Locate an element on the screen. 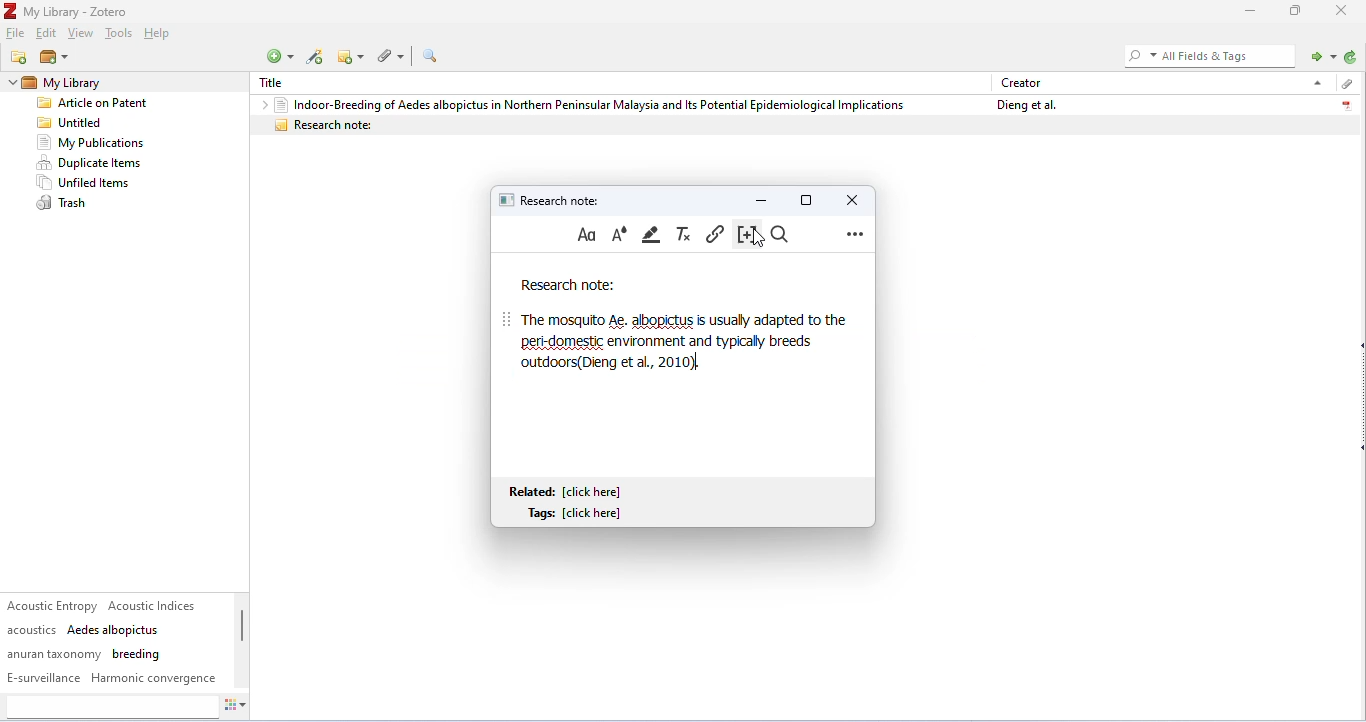 The height and width of the screenshot is (722, 1366). more is located at coordinates (855, 233).